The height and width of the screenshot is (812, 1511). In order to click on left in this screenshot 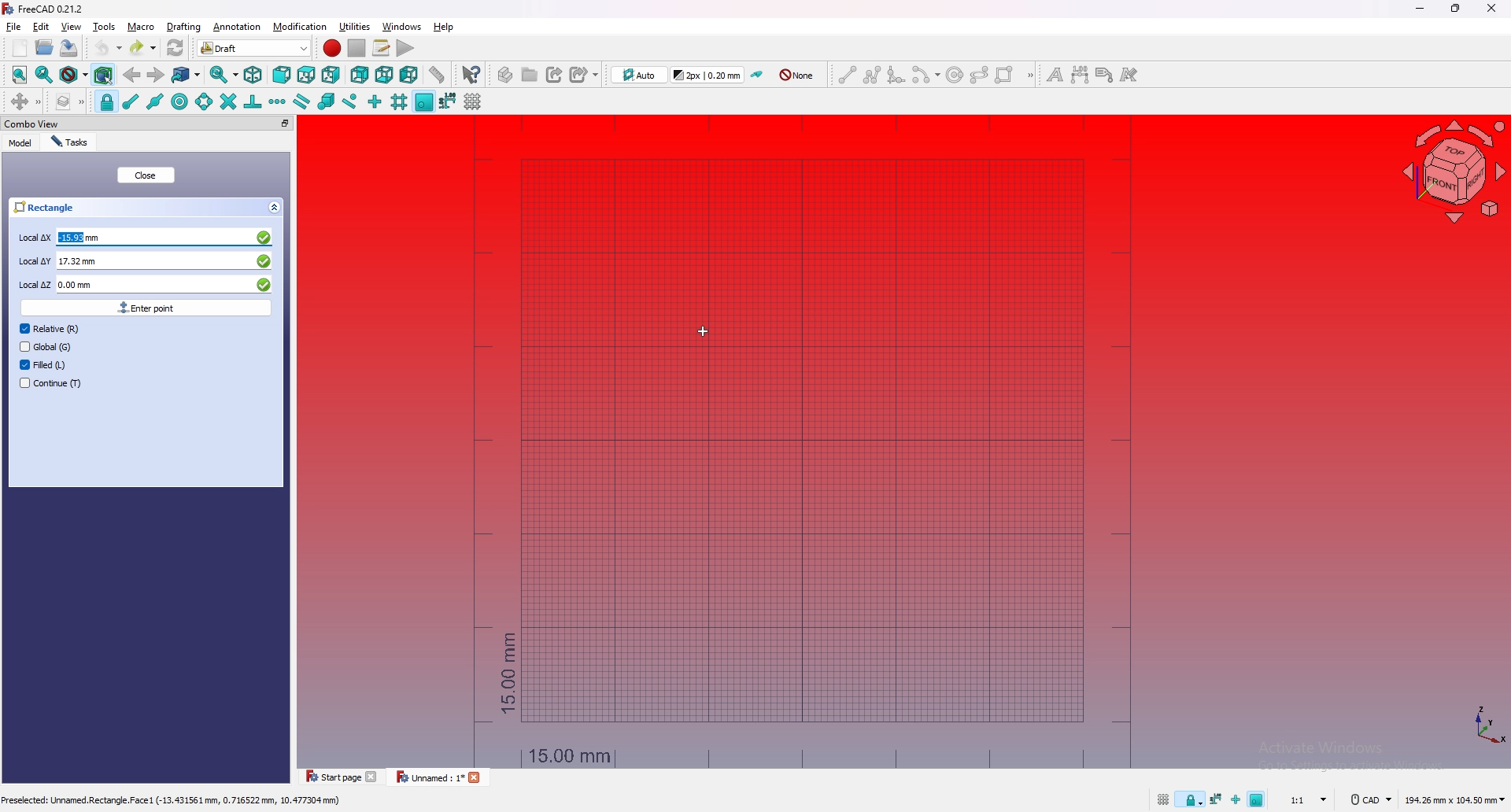, I will do `click(408, 76)`.